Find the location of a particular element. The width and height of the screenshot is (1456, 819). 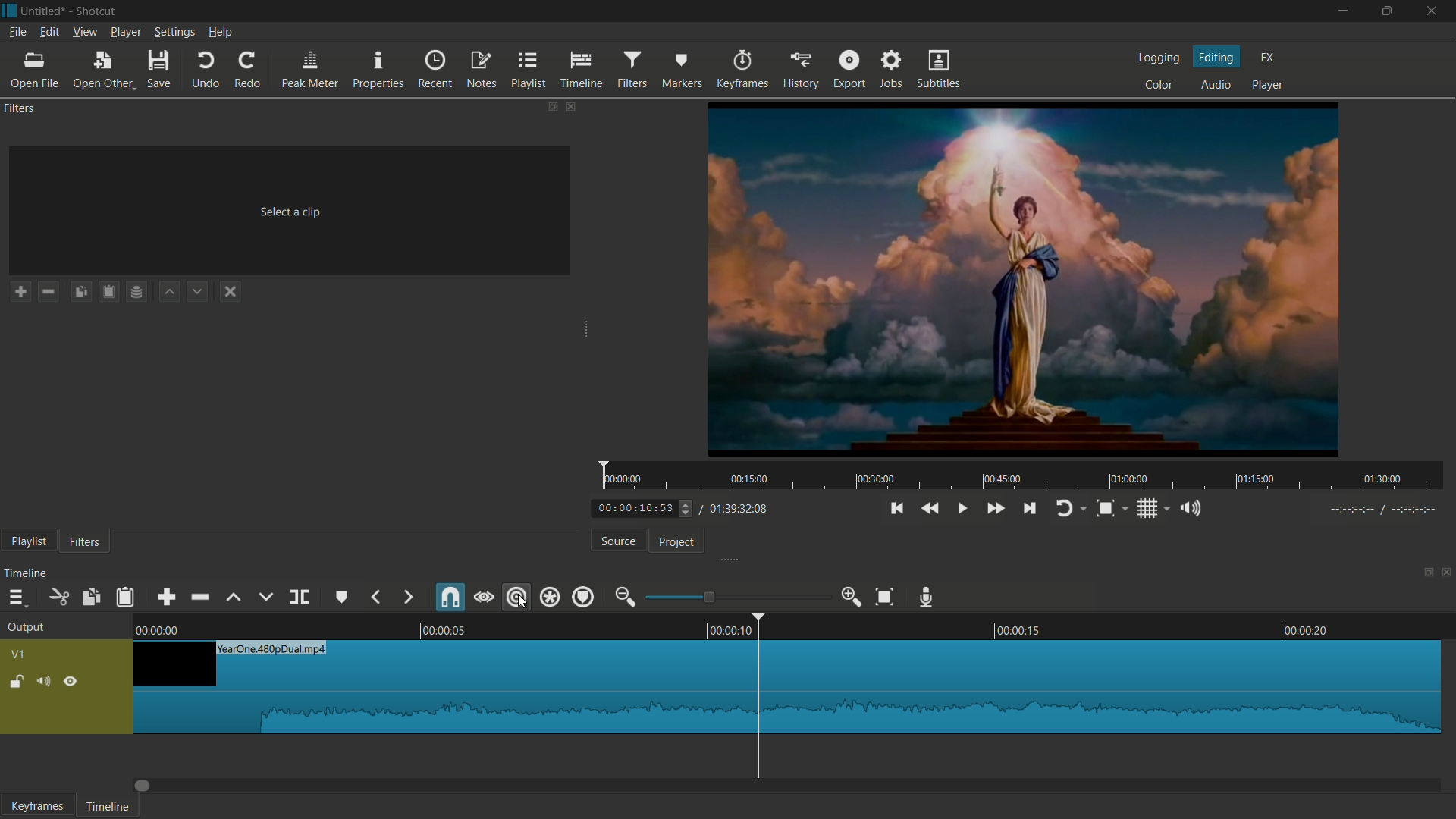

undo is located at coordinates (206, 70).